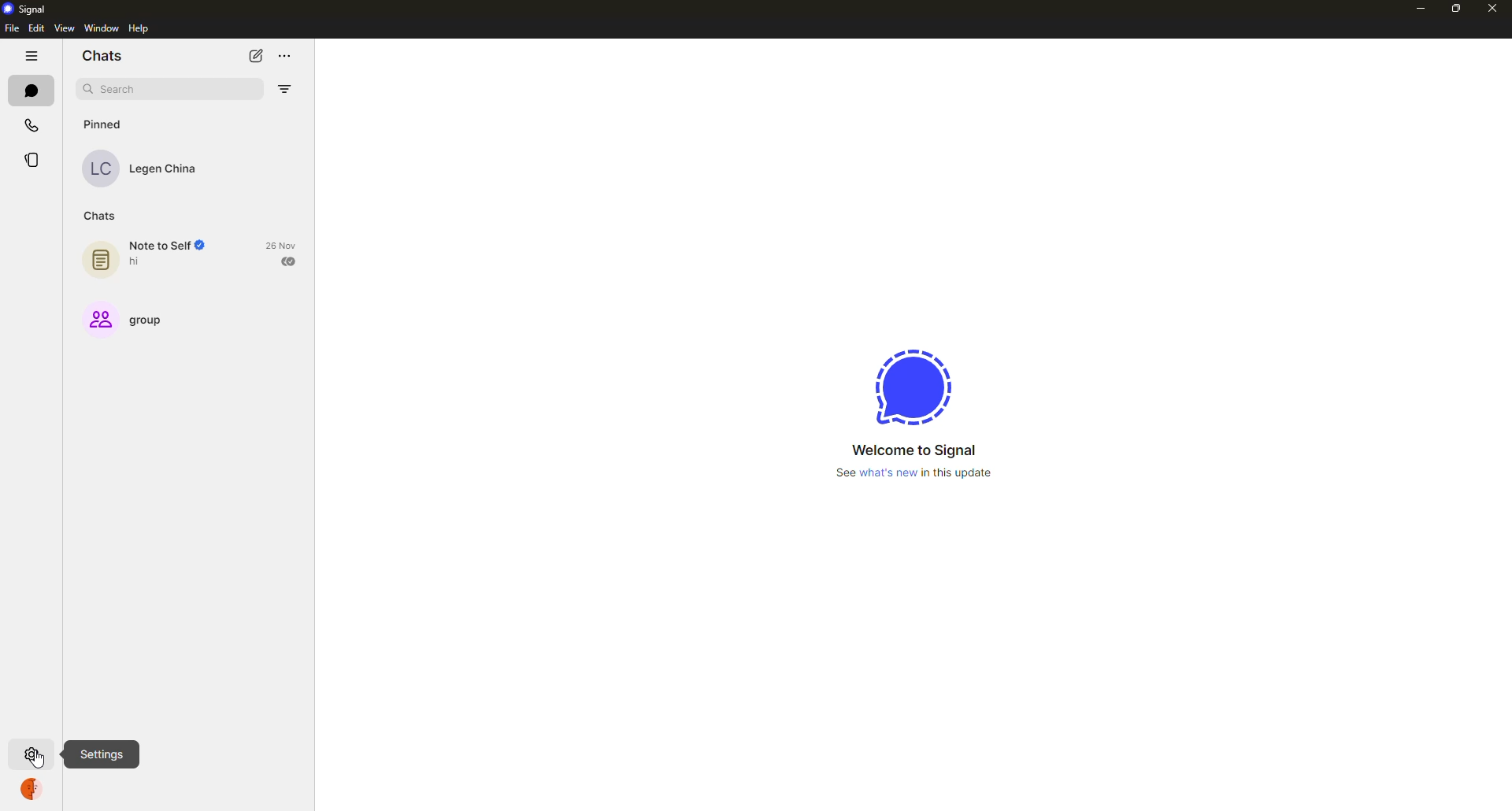  What do you see at coordinates (251, 55) in the screenshot?
I see `new chat` at bounding box center [251, 55].